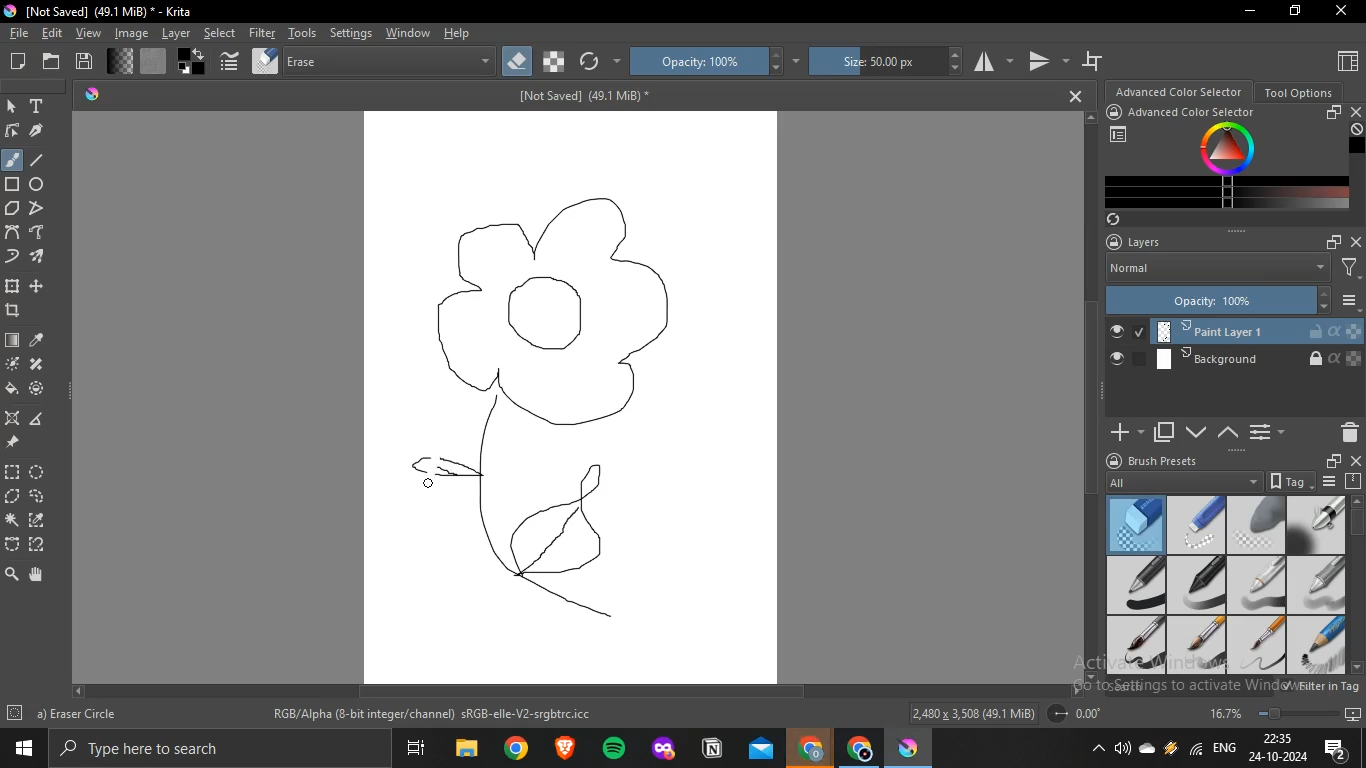 Image resolution: width=1366 pixels, height=768 pixels. I want to click on Options, so click(1351, 301).